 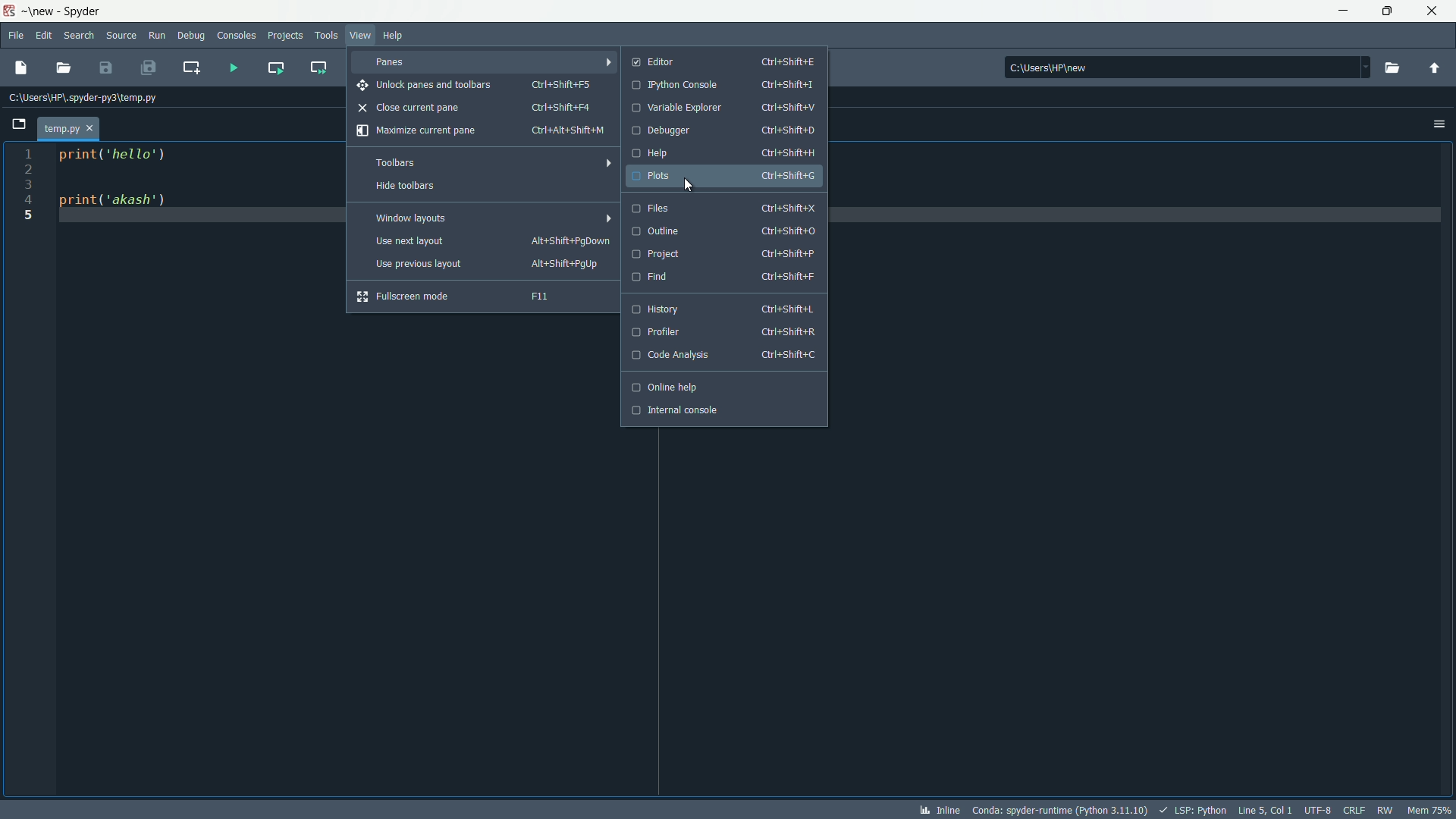 What do you see at coordinates (325, 34) in the screenshot?
I see `tools menu` at bounding box center [325, 34].